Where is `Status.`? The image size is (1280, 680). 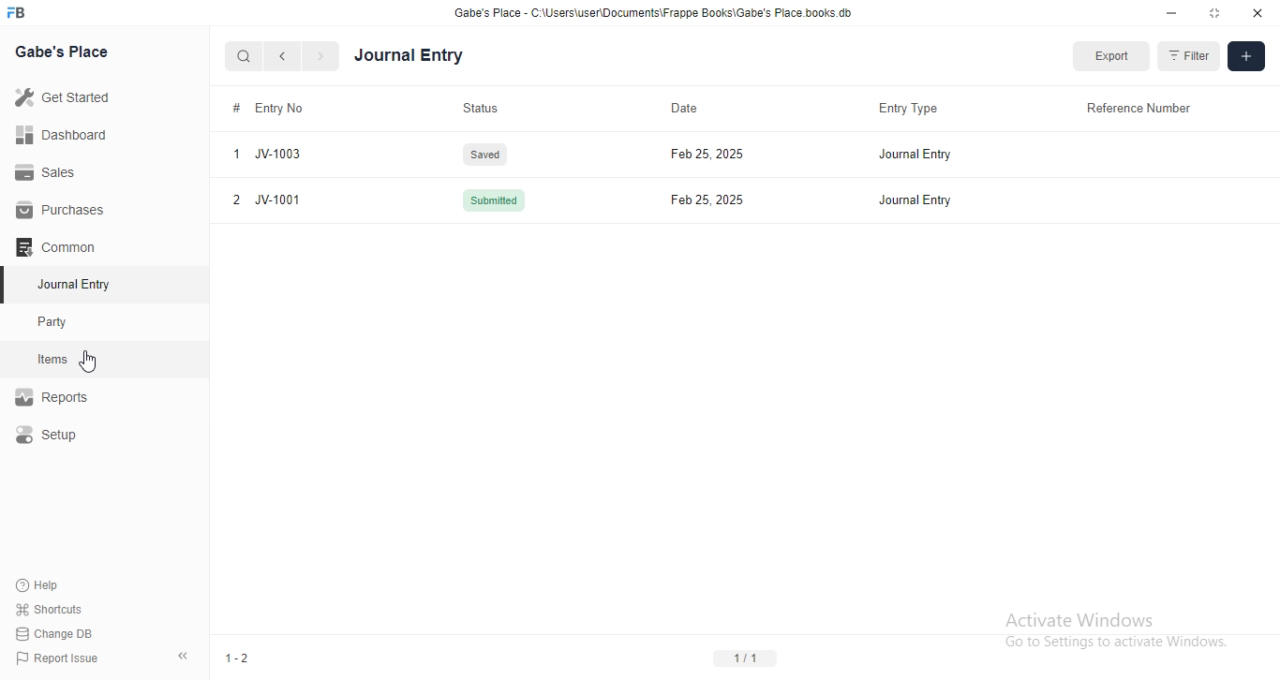
Status. is located at coordinates (483, 109).